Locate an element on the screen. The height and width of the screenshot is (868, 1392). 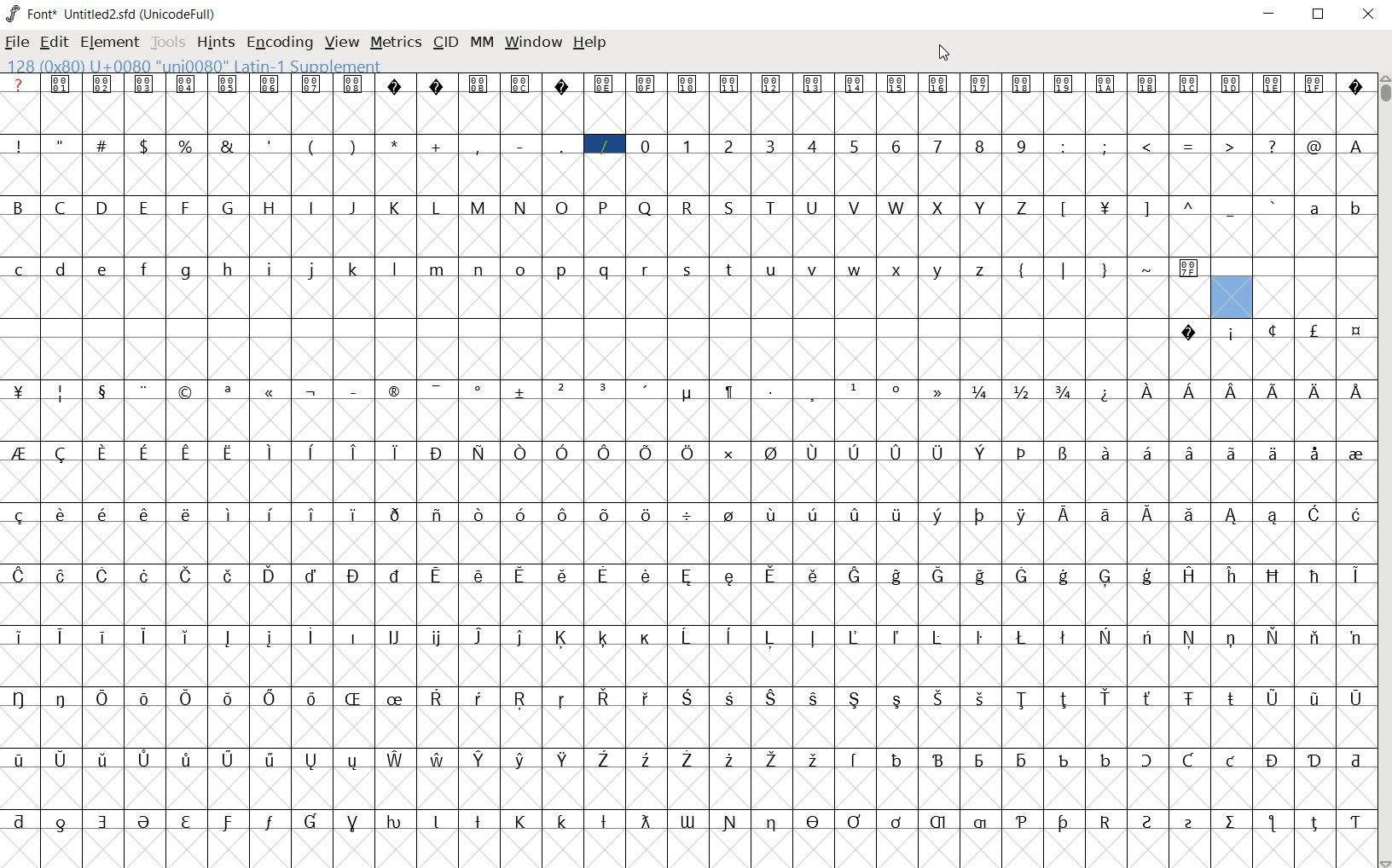
glyph is located at coordinates (227, 823).